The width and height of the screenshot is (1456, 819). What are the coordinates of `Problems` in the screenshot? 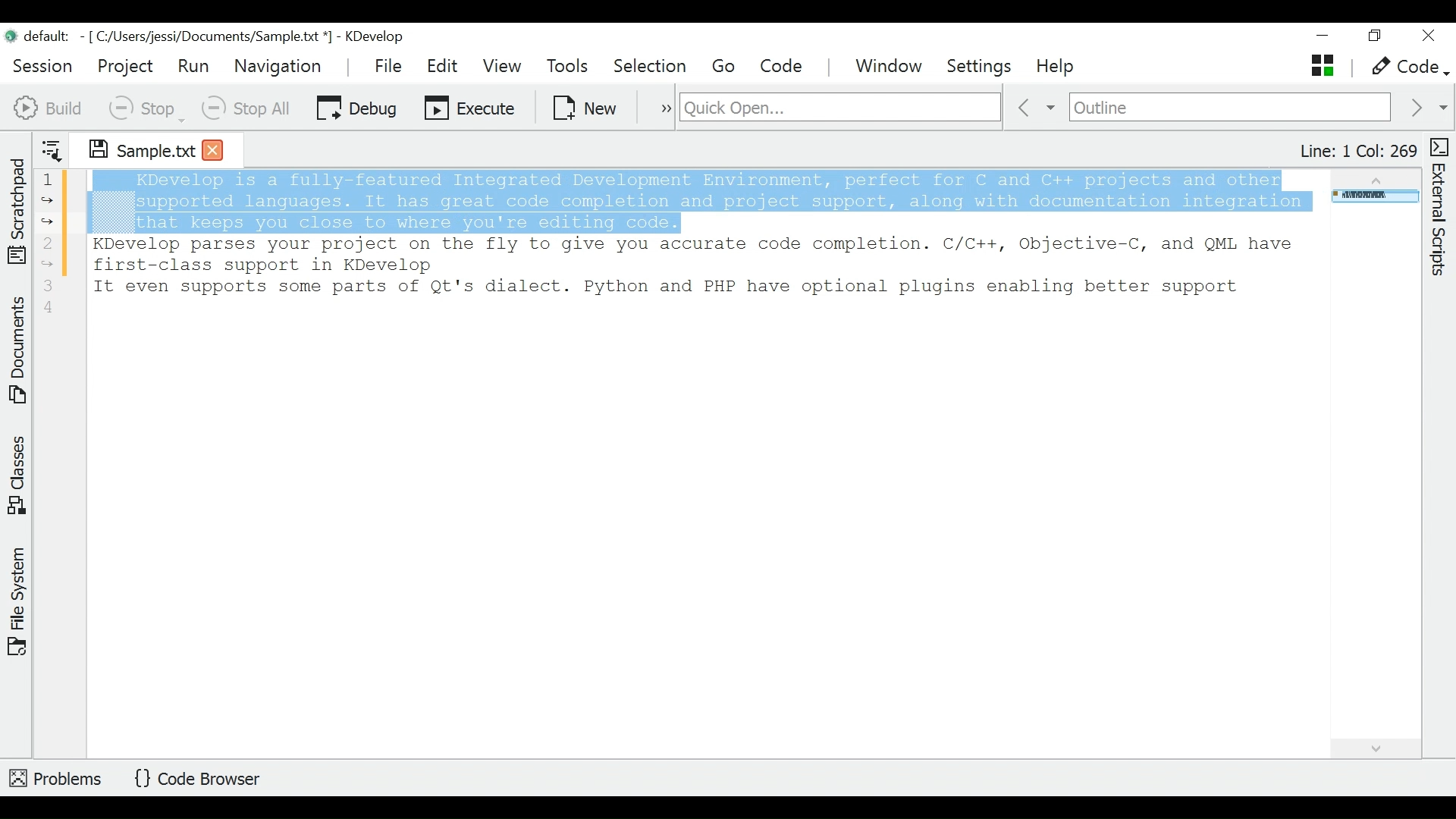 It's located at (57, 776).